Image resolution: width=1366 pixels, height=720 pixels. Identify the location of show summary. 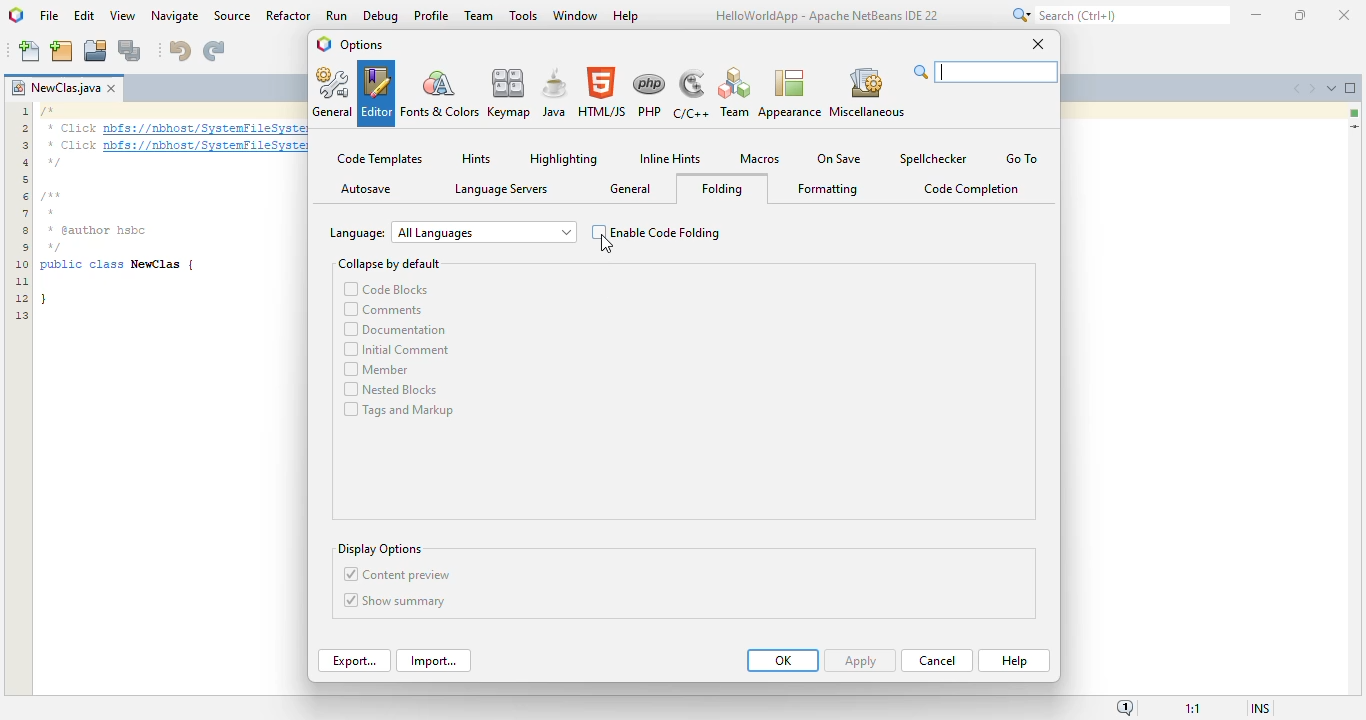
(405, 601).